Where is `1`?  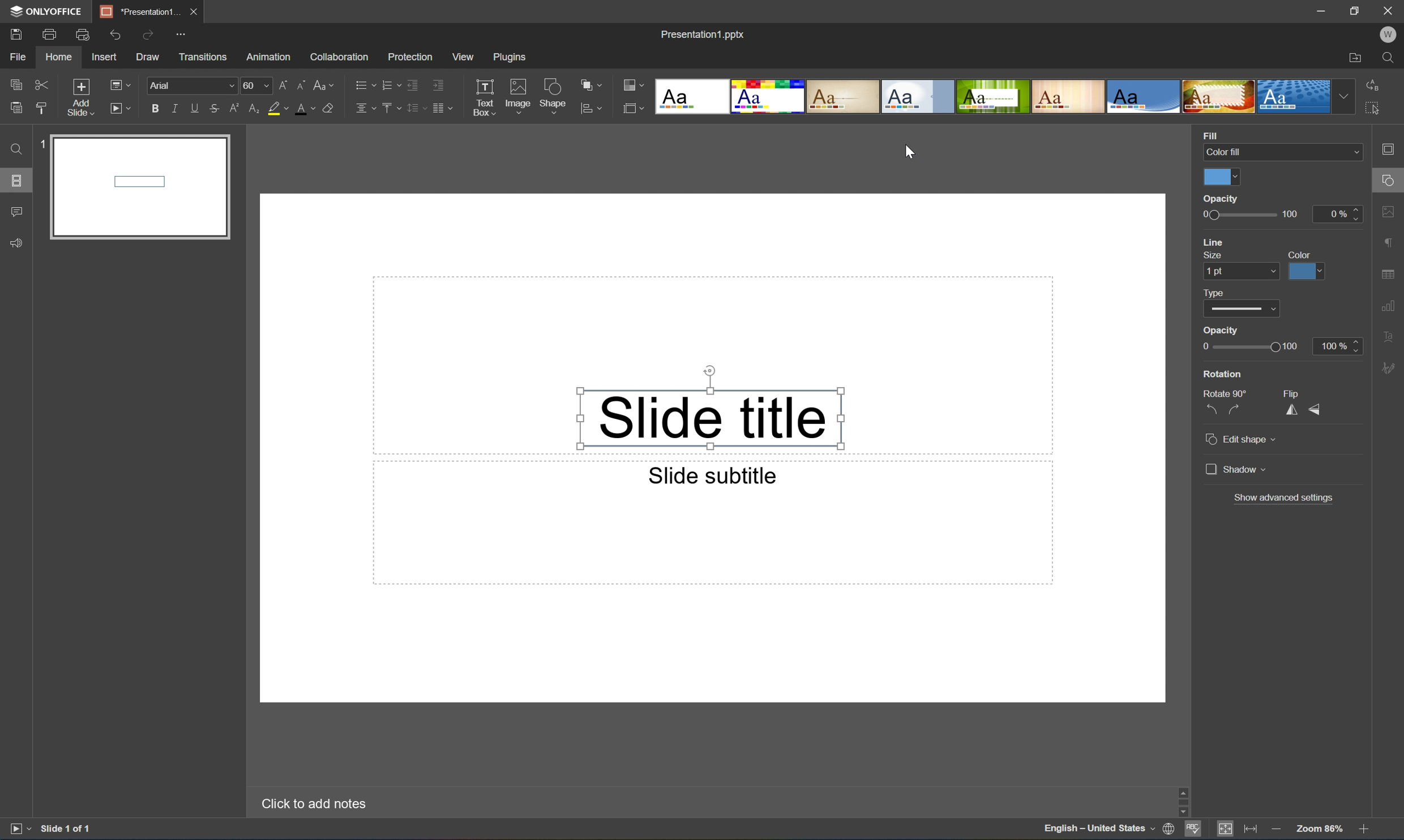
1 is located at coordinates (38, 146).